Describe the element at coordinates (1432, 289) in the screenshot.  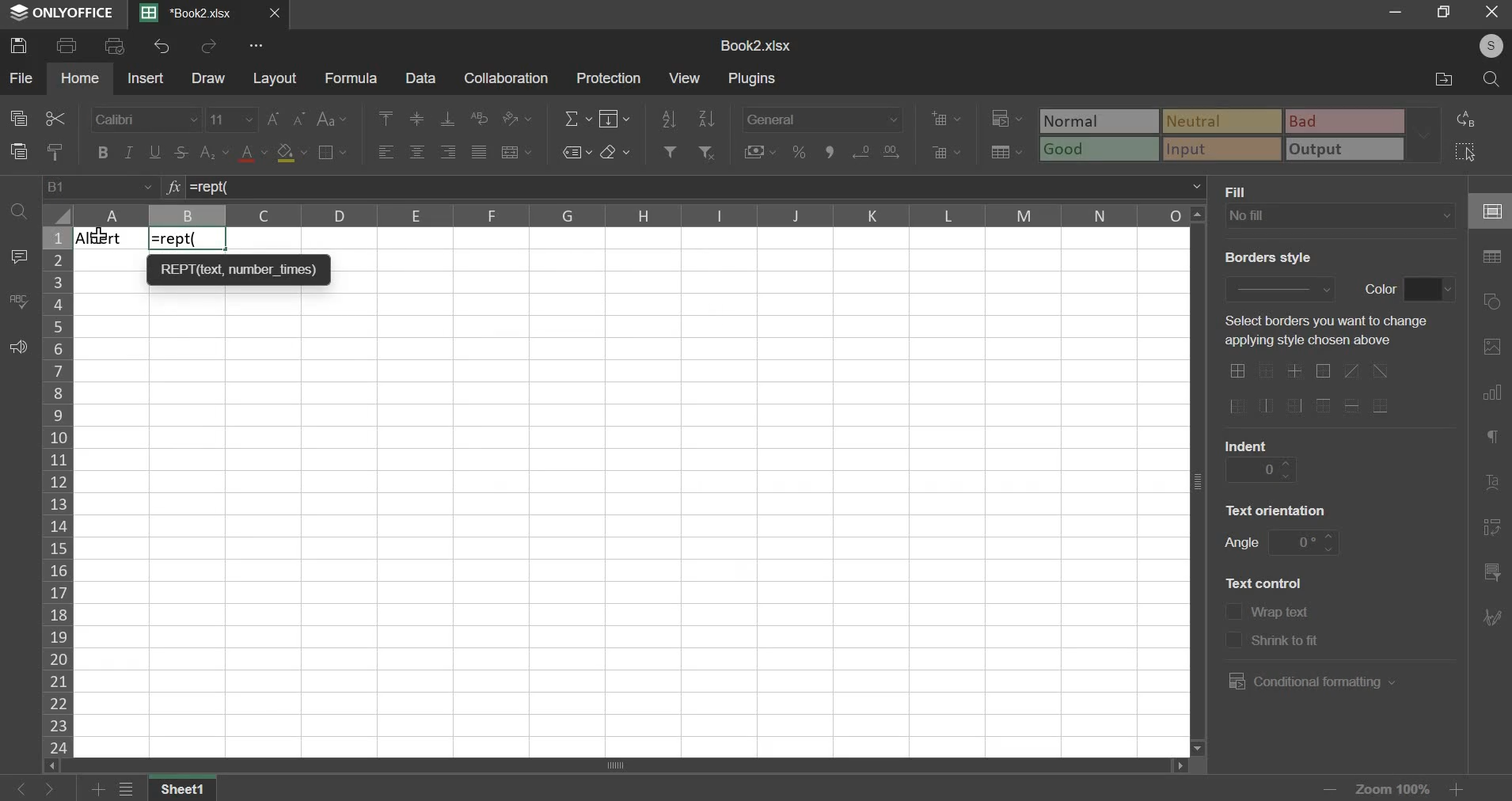
I see `color` at that location.